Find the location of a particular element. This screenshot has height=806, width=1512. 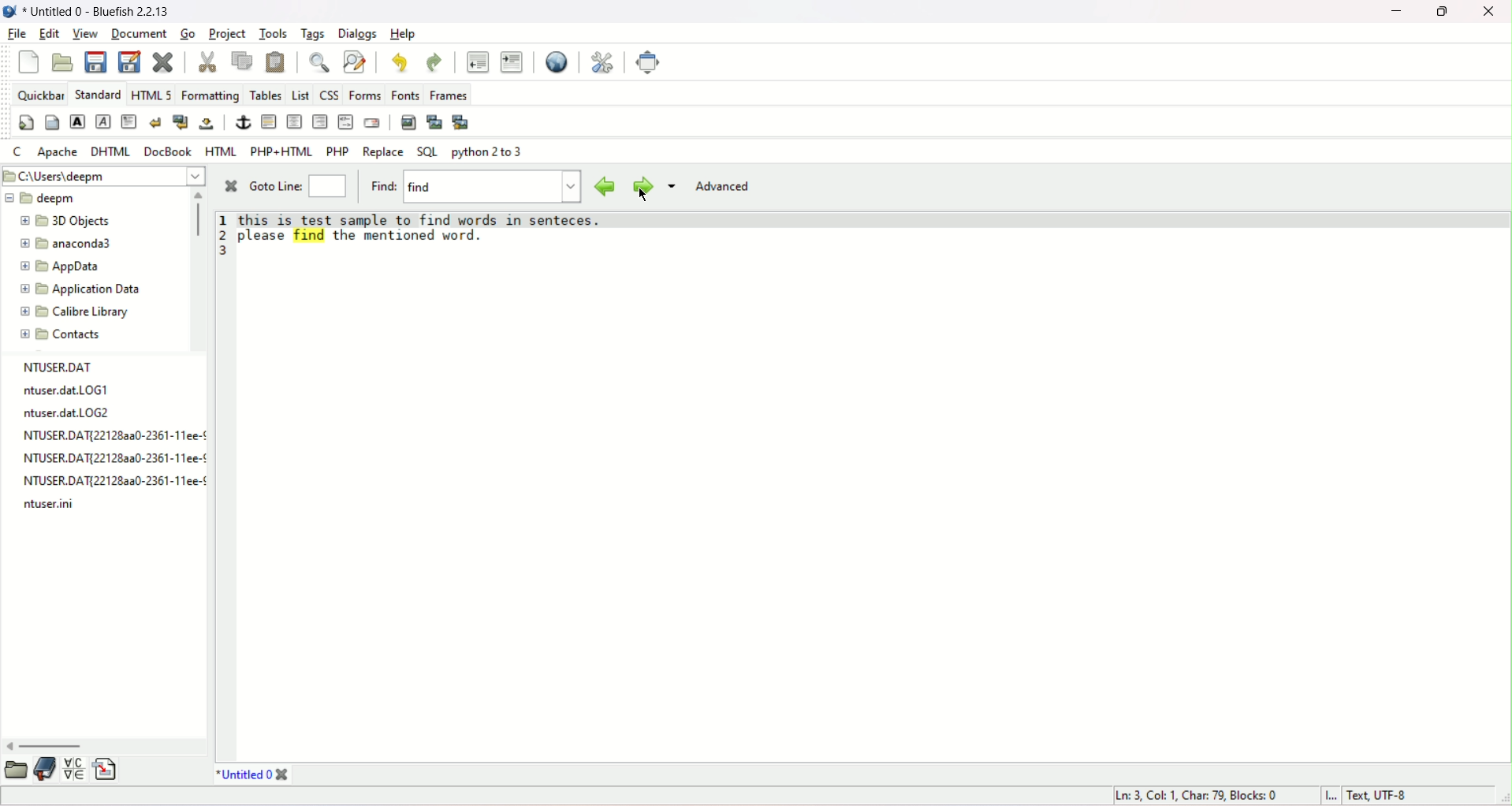

tags is located at coordinates (314, 32).